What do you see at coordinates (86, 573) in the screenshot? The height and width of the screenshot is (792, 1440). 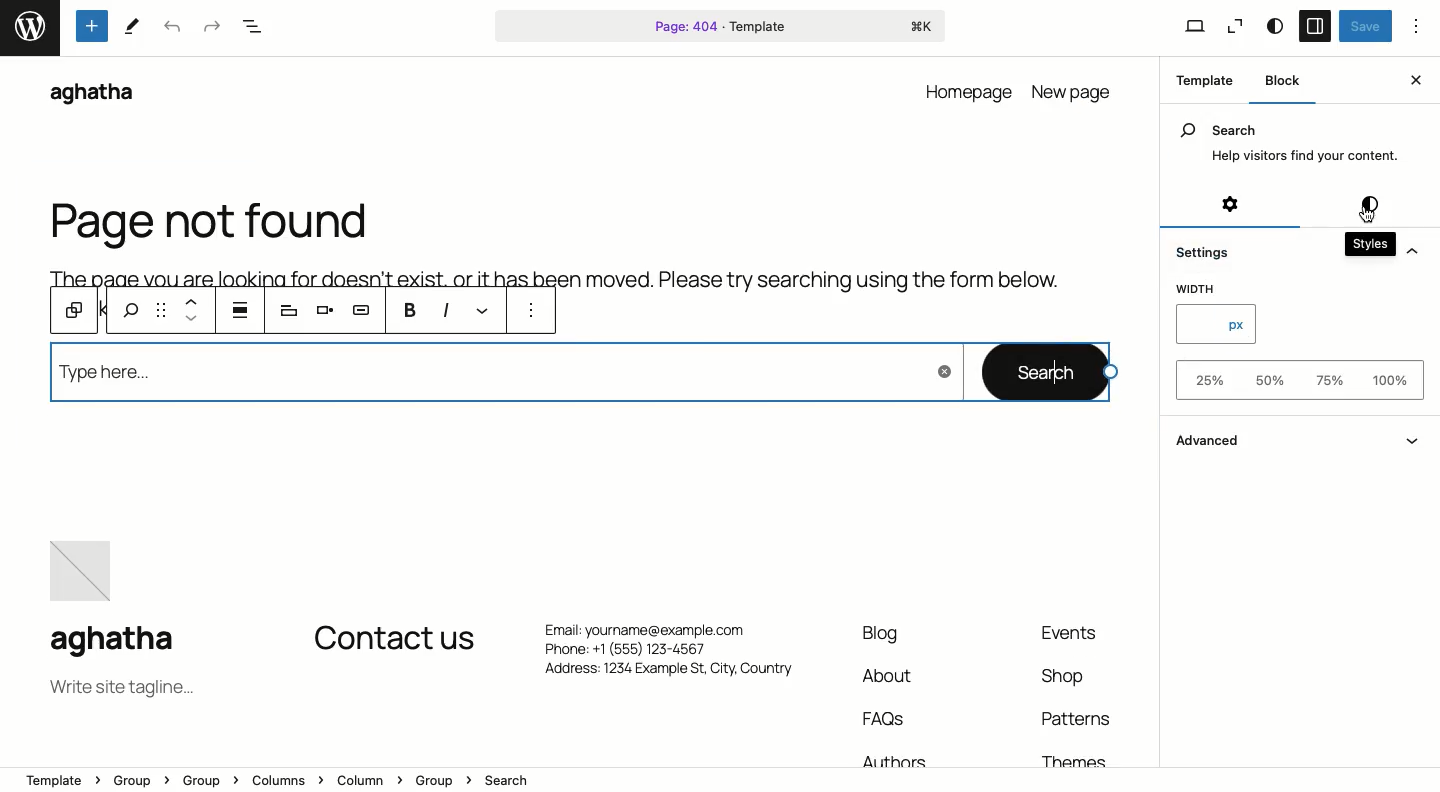 I see `image placeholder` at bounding box center [86, 573].